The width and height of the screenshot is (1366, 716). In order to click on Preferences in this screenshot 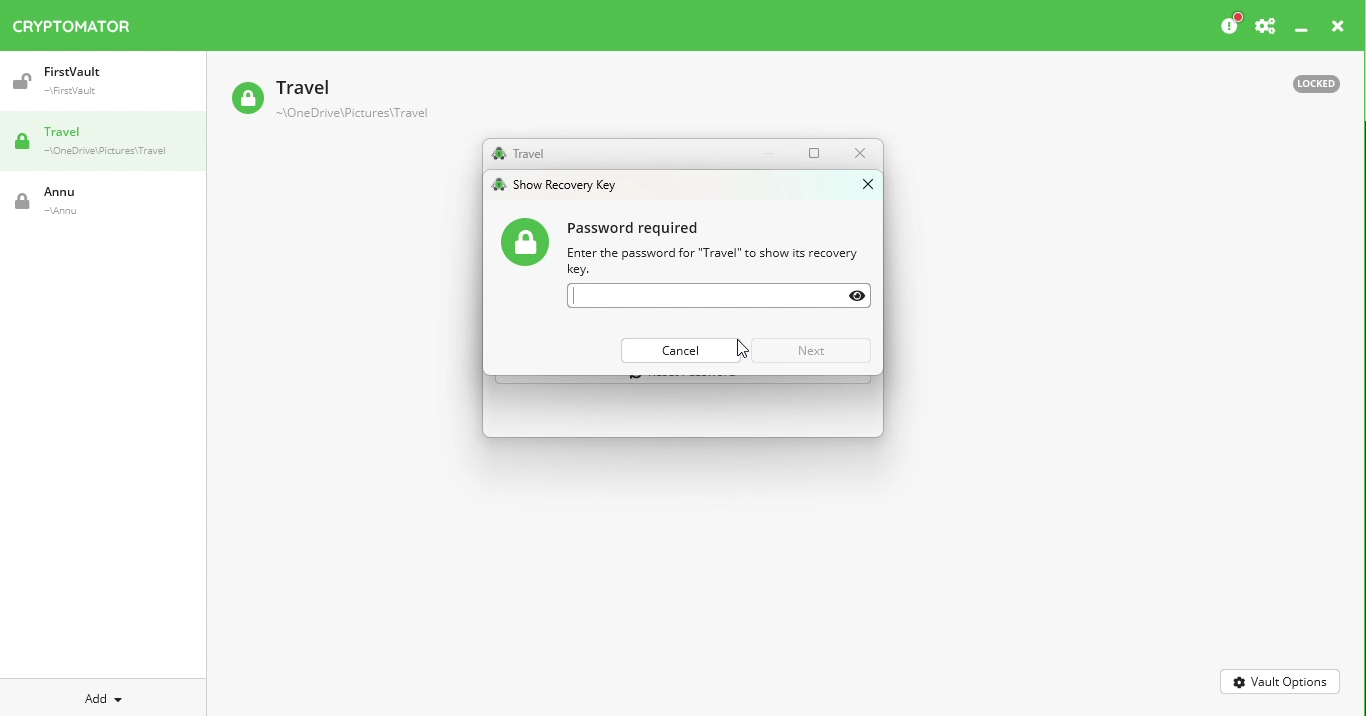, I will do `click(1265, 27)`.